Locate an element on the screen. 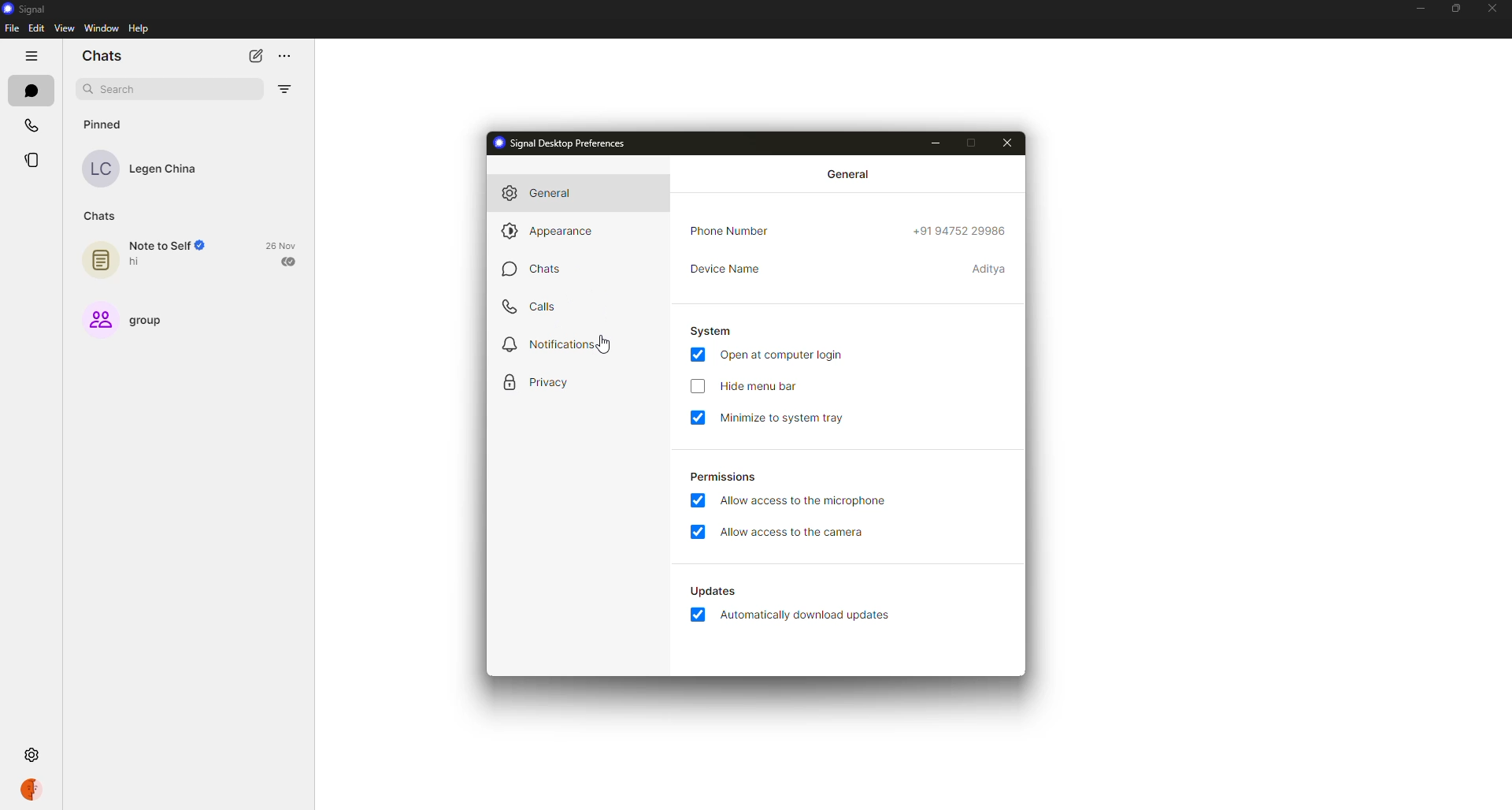  new chat is located at coordinates (252, 55).